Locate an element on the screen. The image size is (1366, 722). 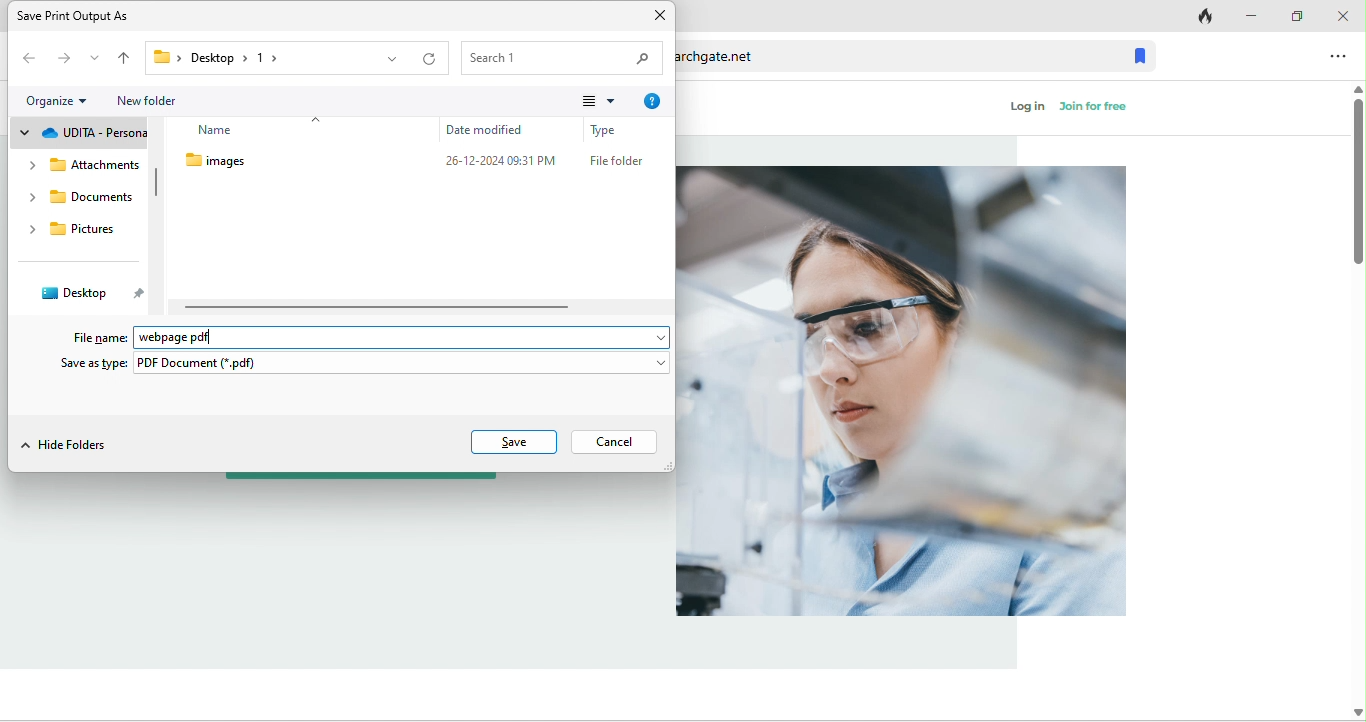
save is located at coordinates (514, 441).